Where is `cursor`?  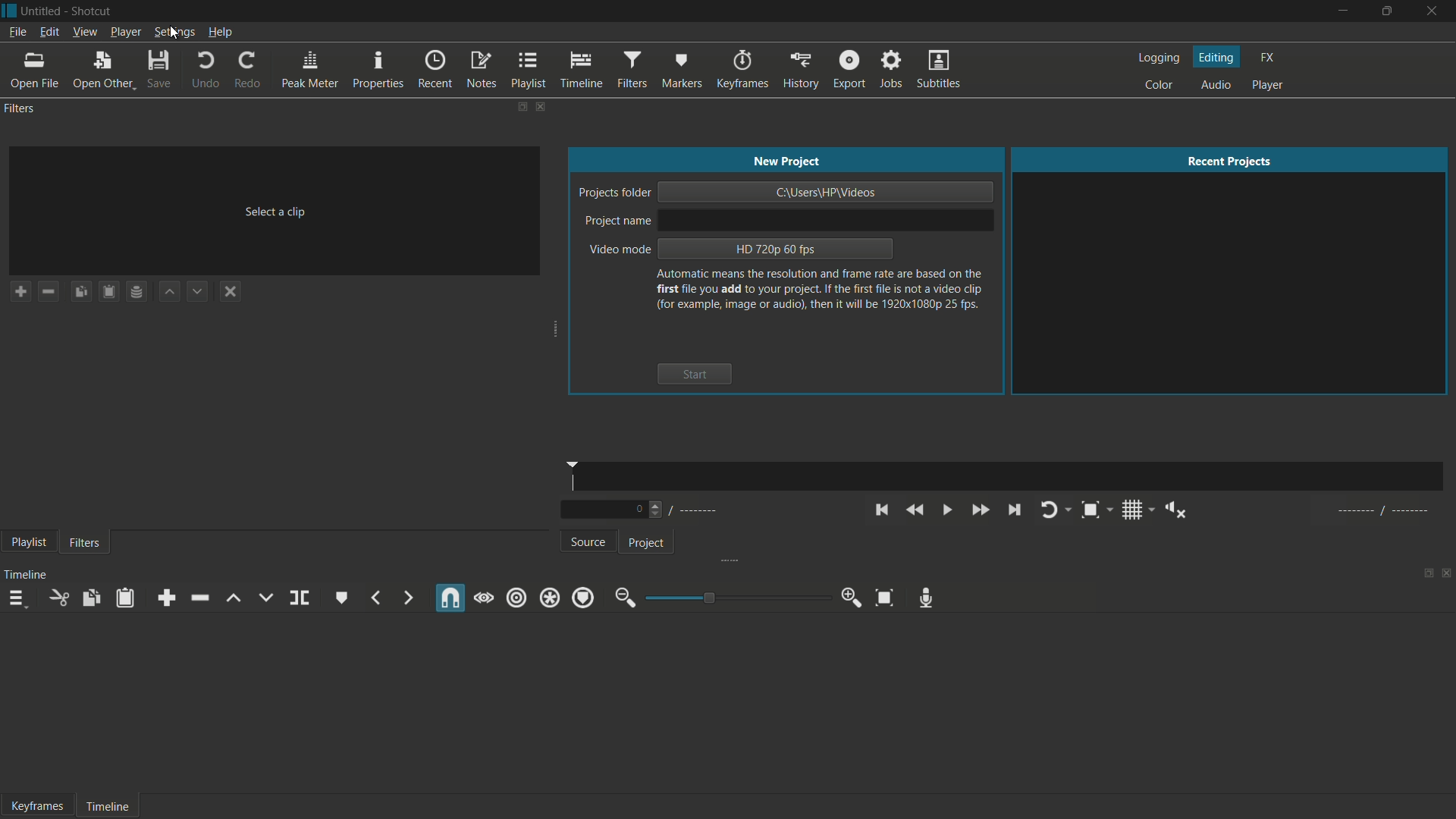
cursor is located at coordinates (174, 30).